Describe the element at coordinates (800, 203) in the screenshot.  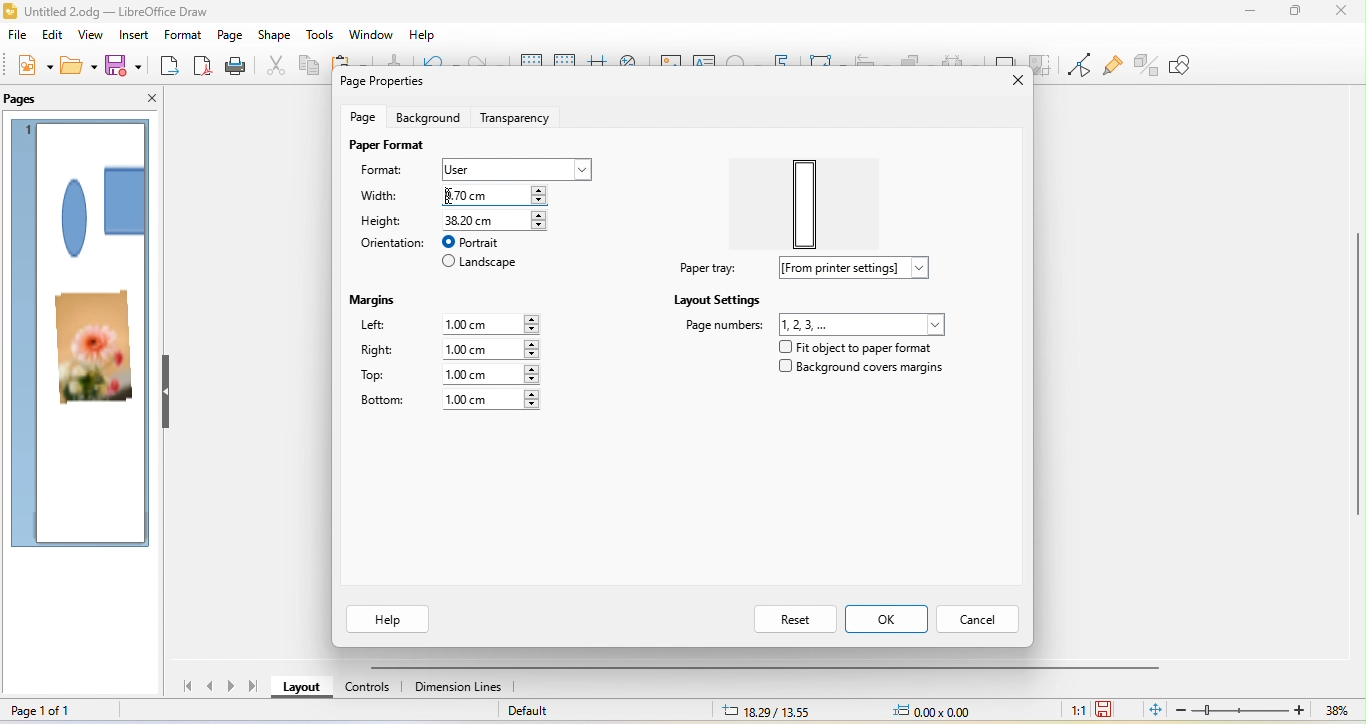
I see `paper` at that location.